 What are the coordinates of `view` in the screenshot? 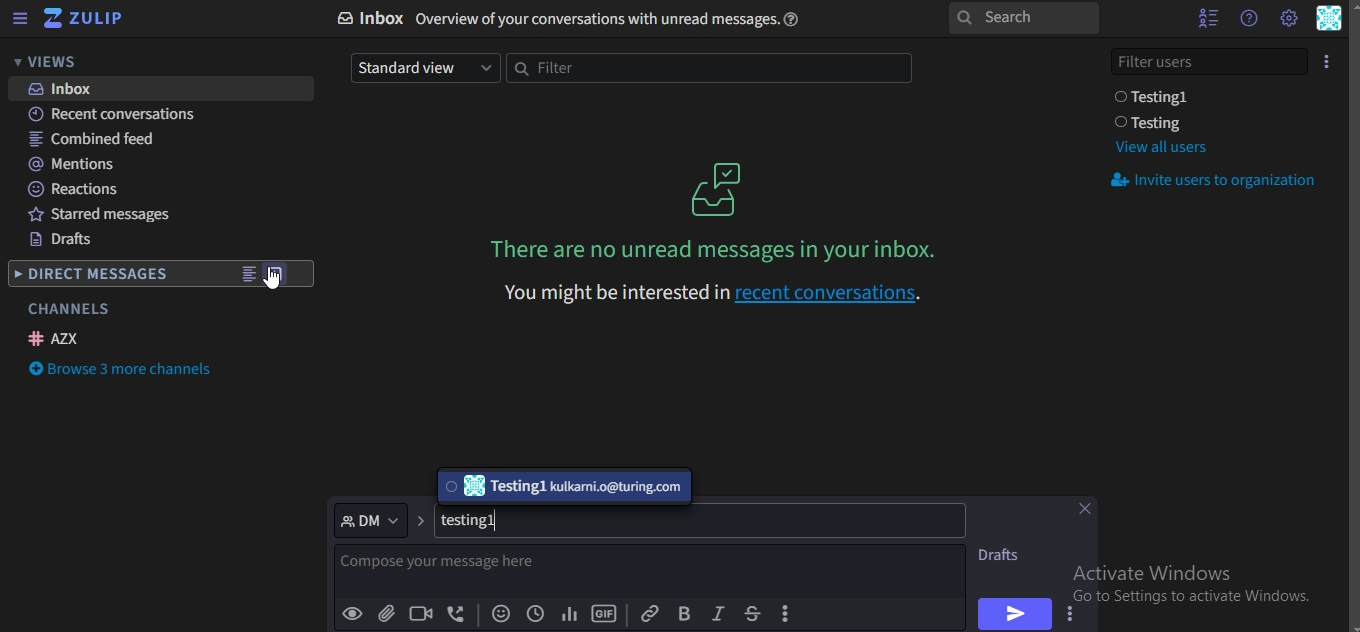 It's located at (248, 276).